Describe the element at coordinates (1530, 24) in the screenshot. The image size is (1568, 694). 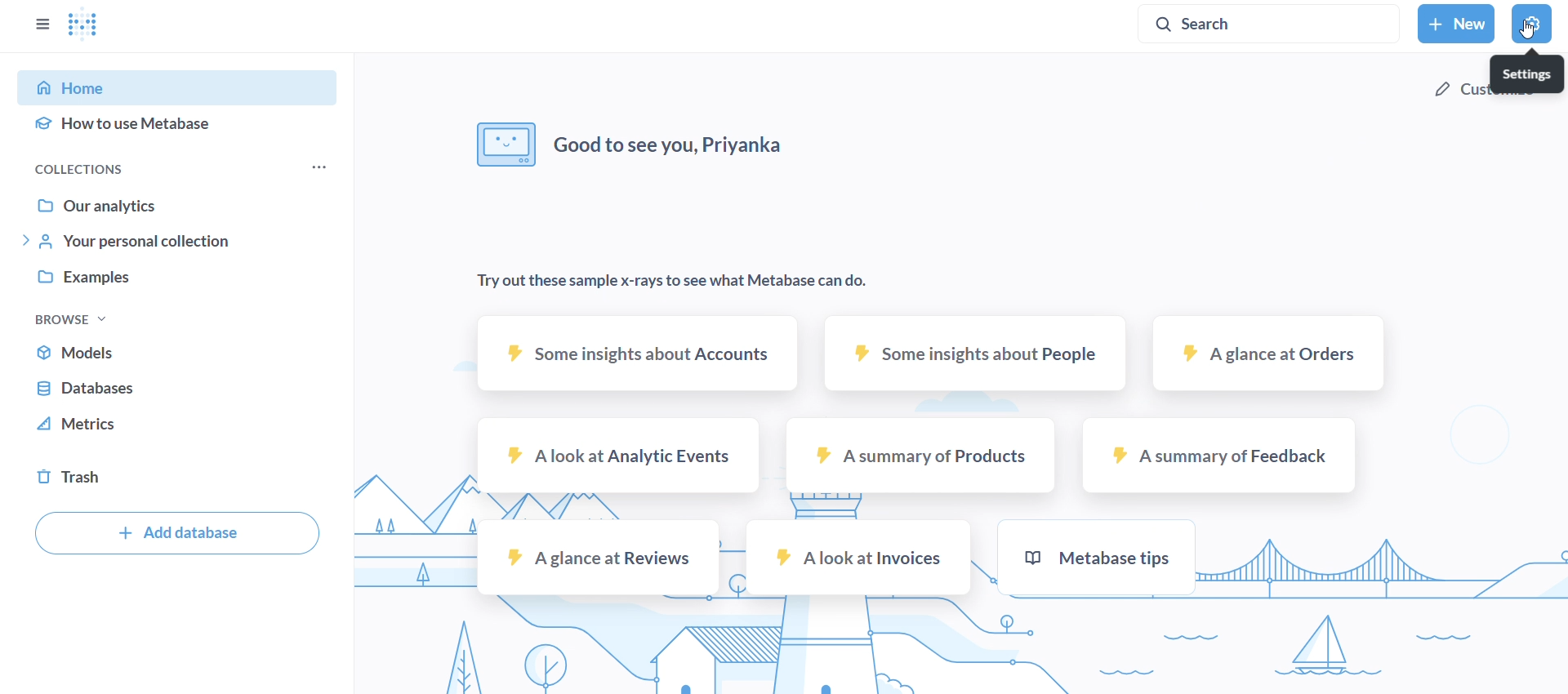
I see `settings` at that location.